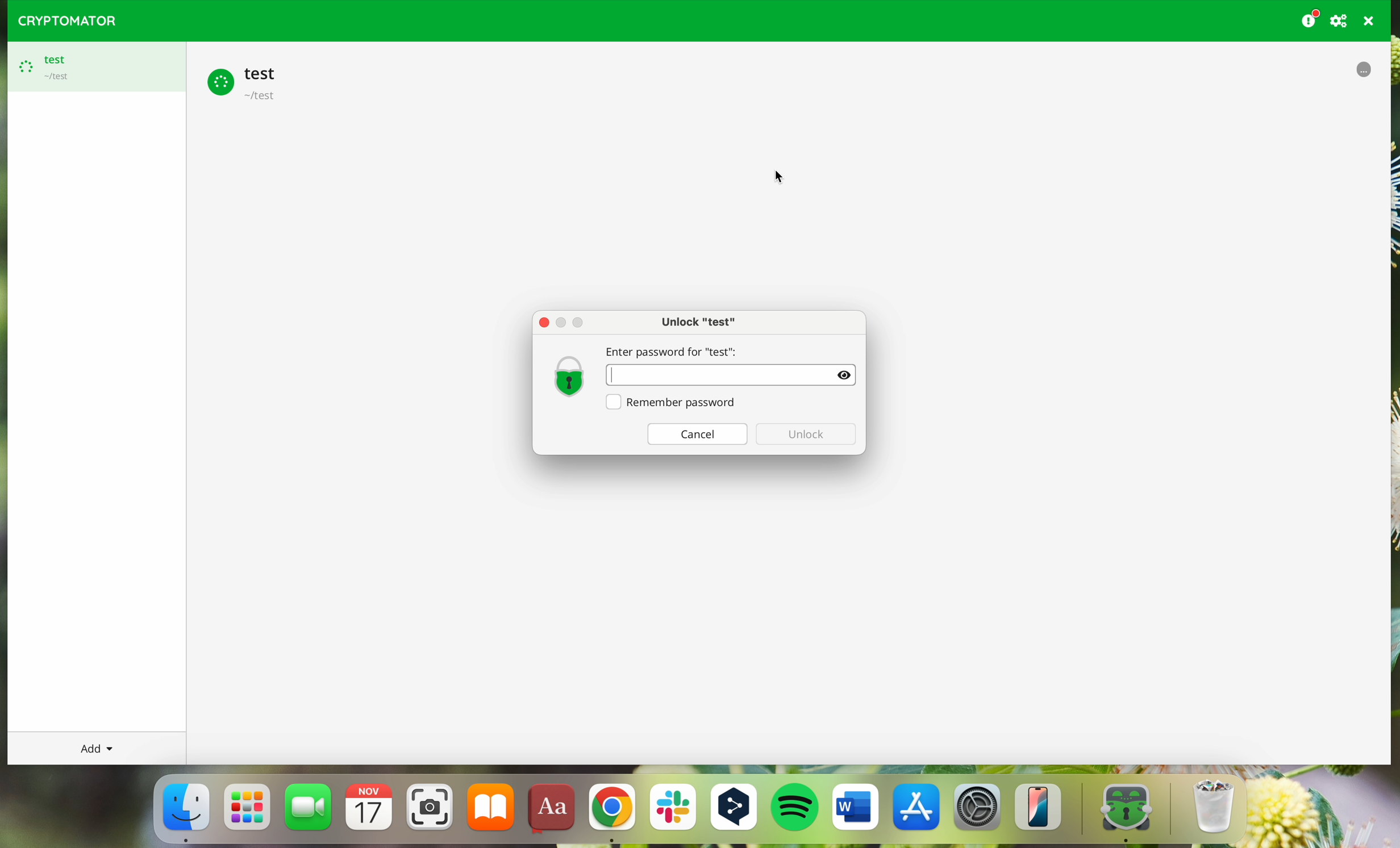  Describe the element at coordinates (95, 748) in the screenshot. I see `add button` at that location.